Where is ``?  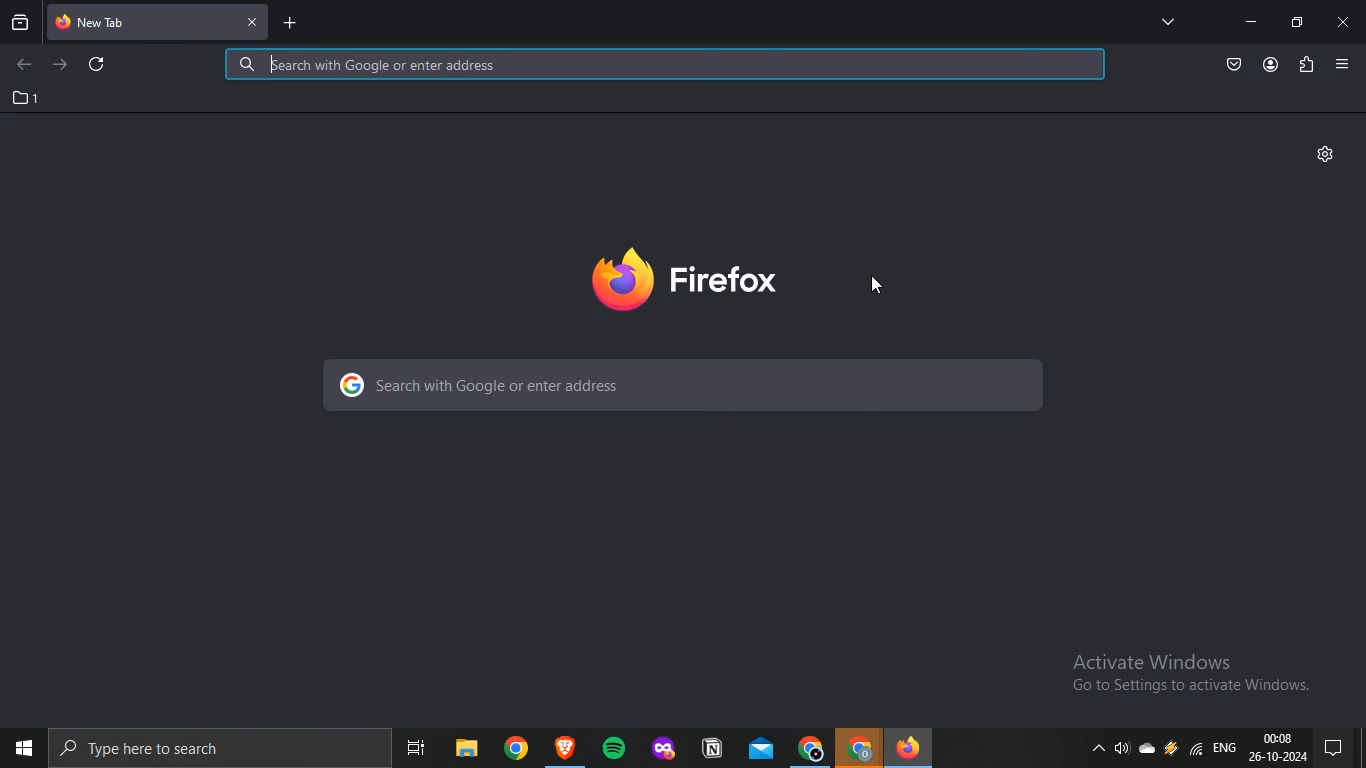
 is located at coordinates (515, 747).